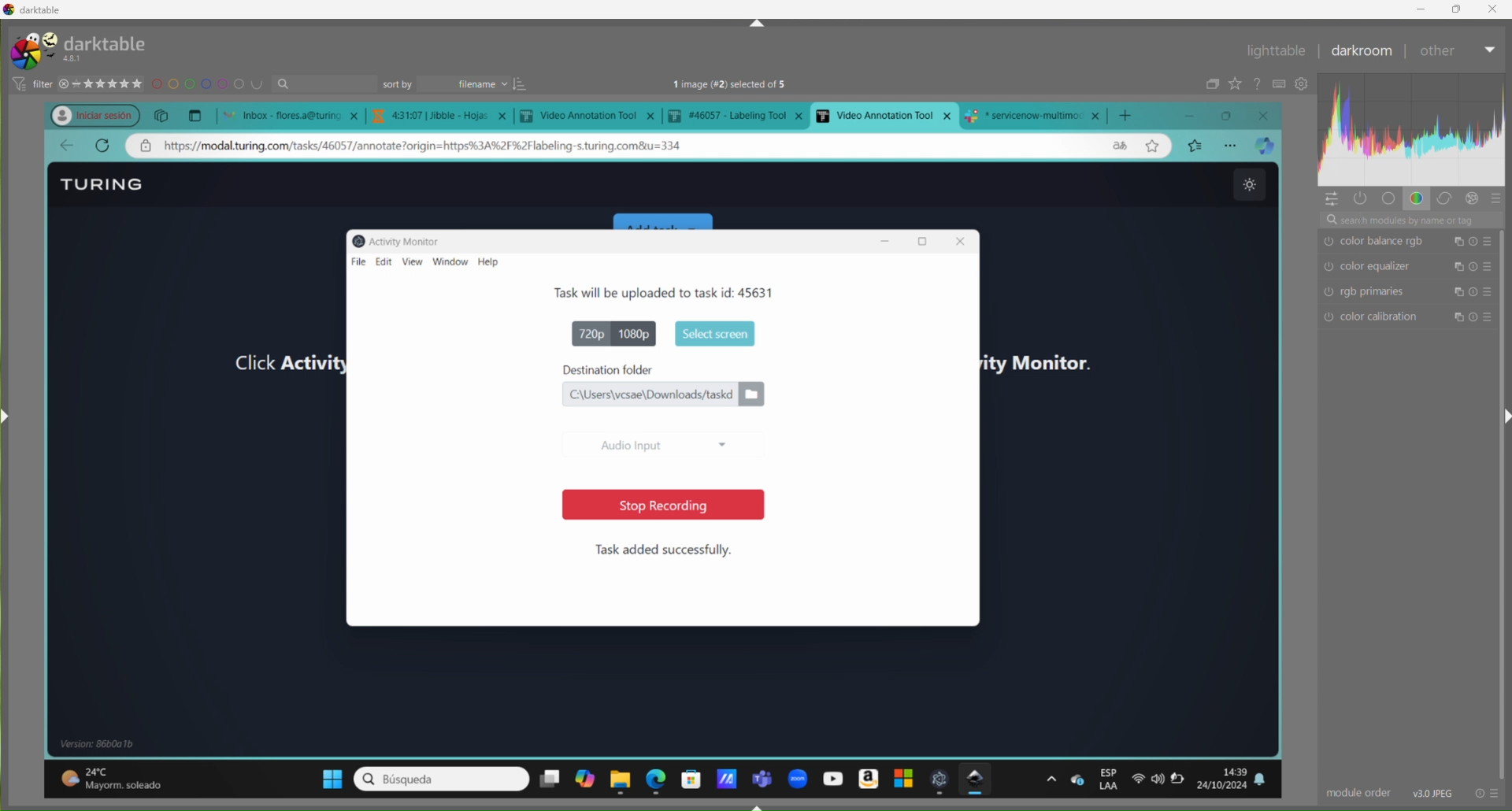 This screenshot has height=811, width=1512. I want to click on Task details, so click(619, 292).